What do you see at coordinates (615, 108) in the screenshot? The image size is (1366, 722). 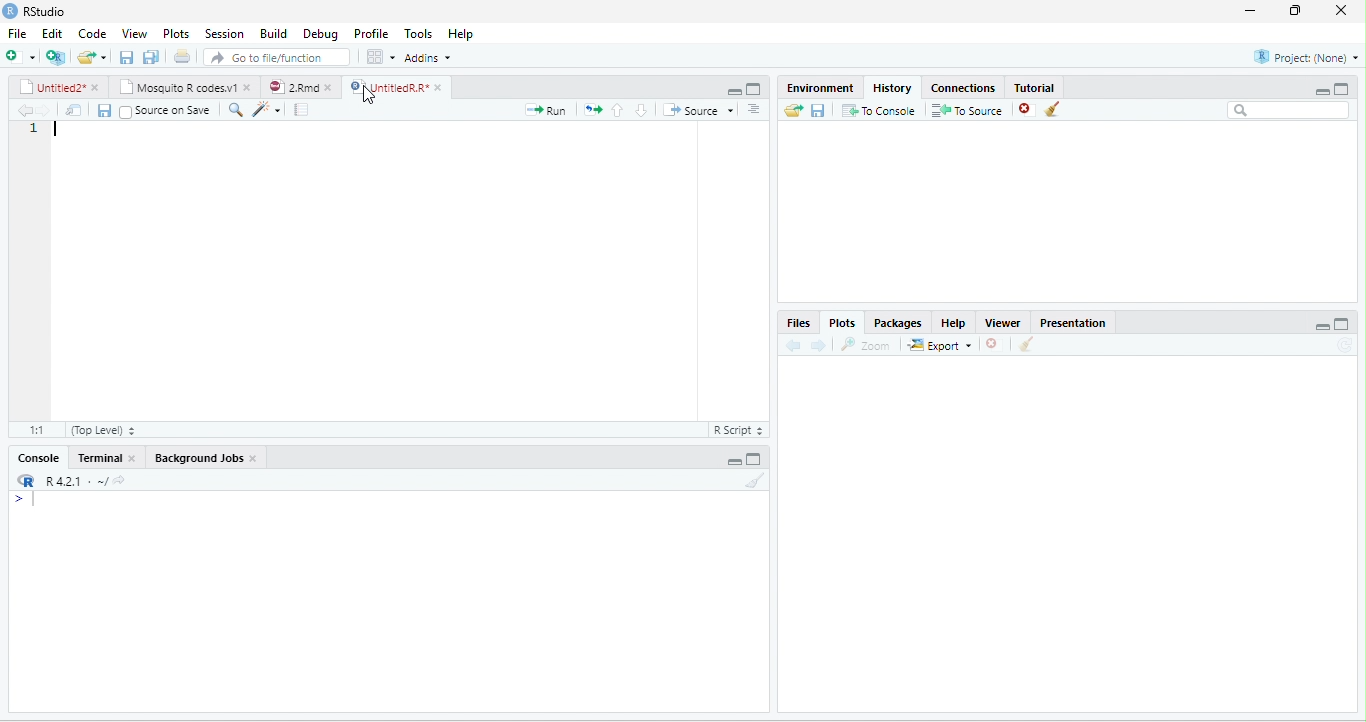 I see `previous` at bounding box center [615, 108].